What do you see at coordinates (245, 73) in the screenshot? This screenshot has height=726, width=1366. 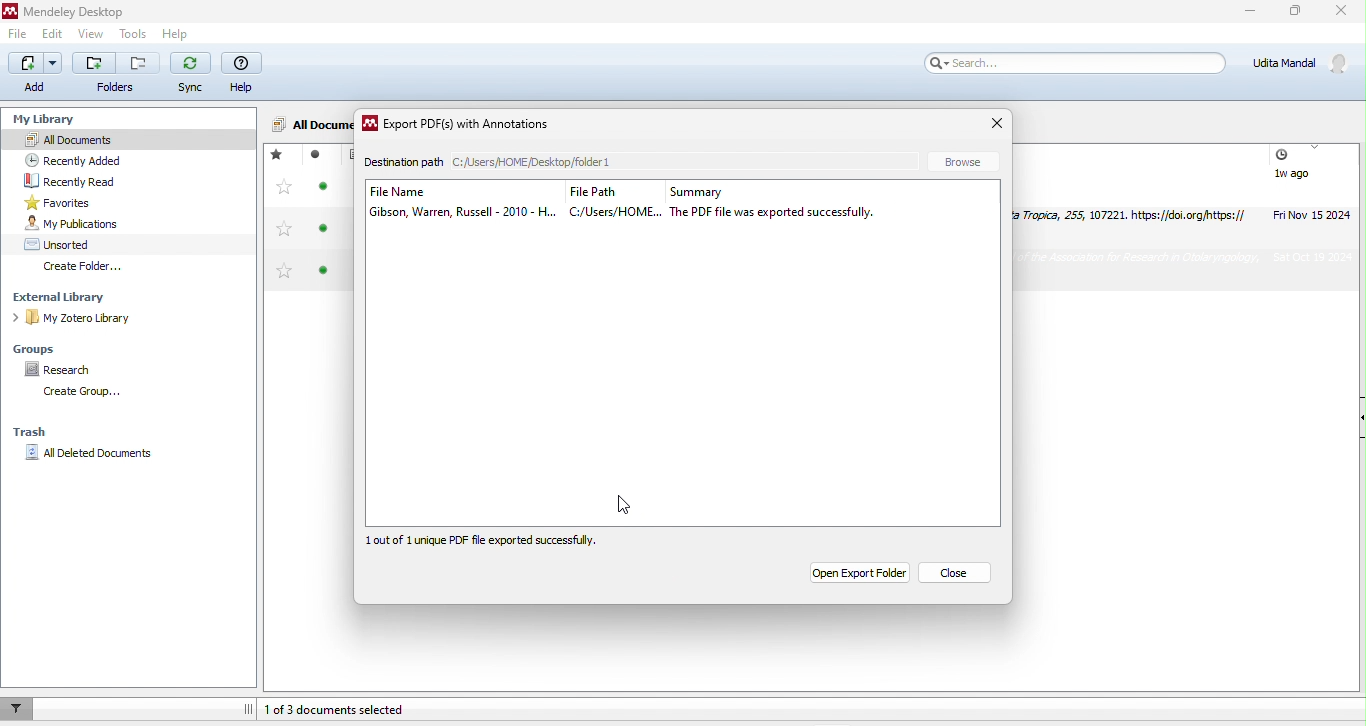 I see `help` at bounding box center [245, 73].